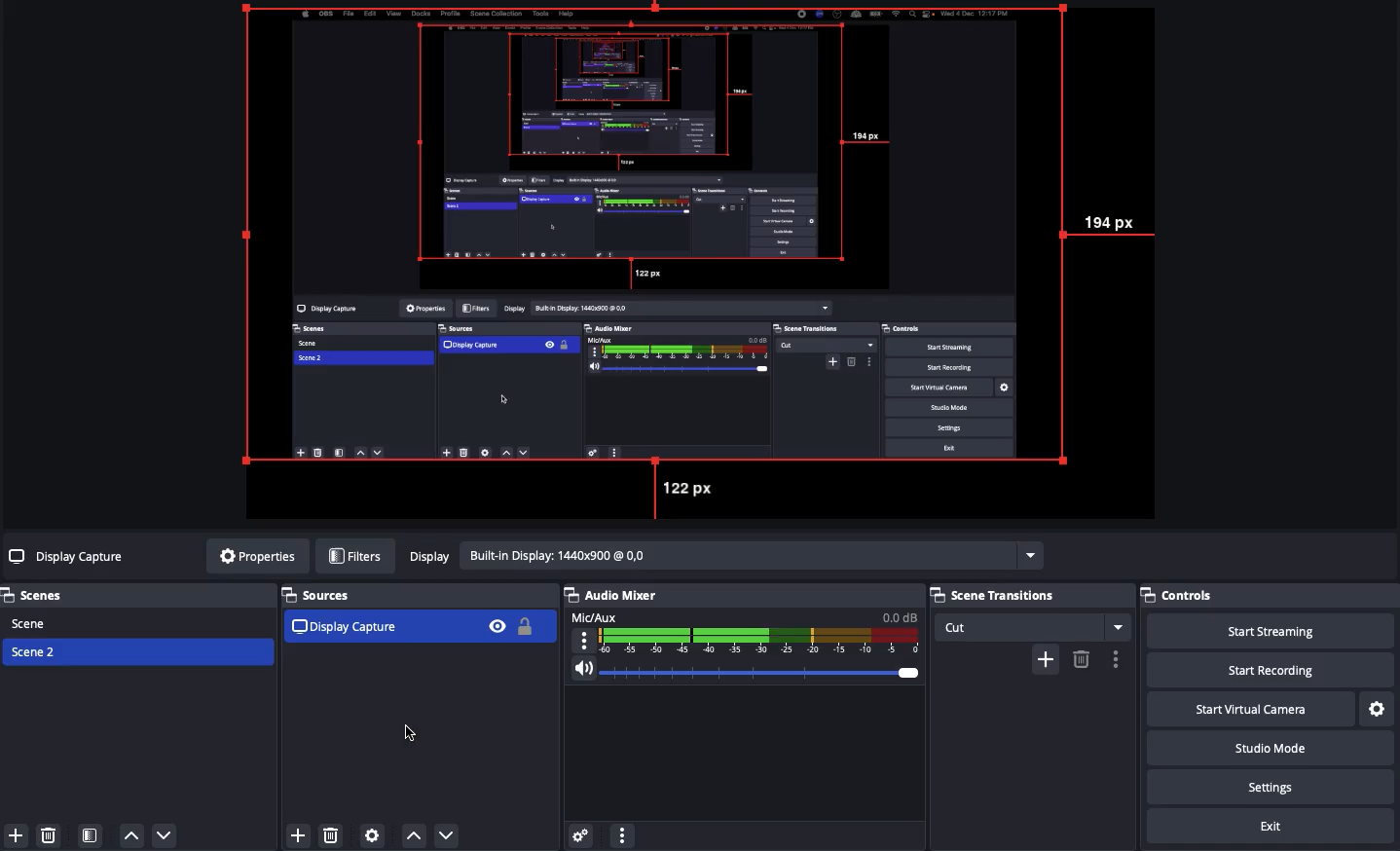 The width and height of the screenshot is (1400, 851). I want to click on Studio mode, so click(1267, 747).